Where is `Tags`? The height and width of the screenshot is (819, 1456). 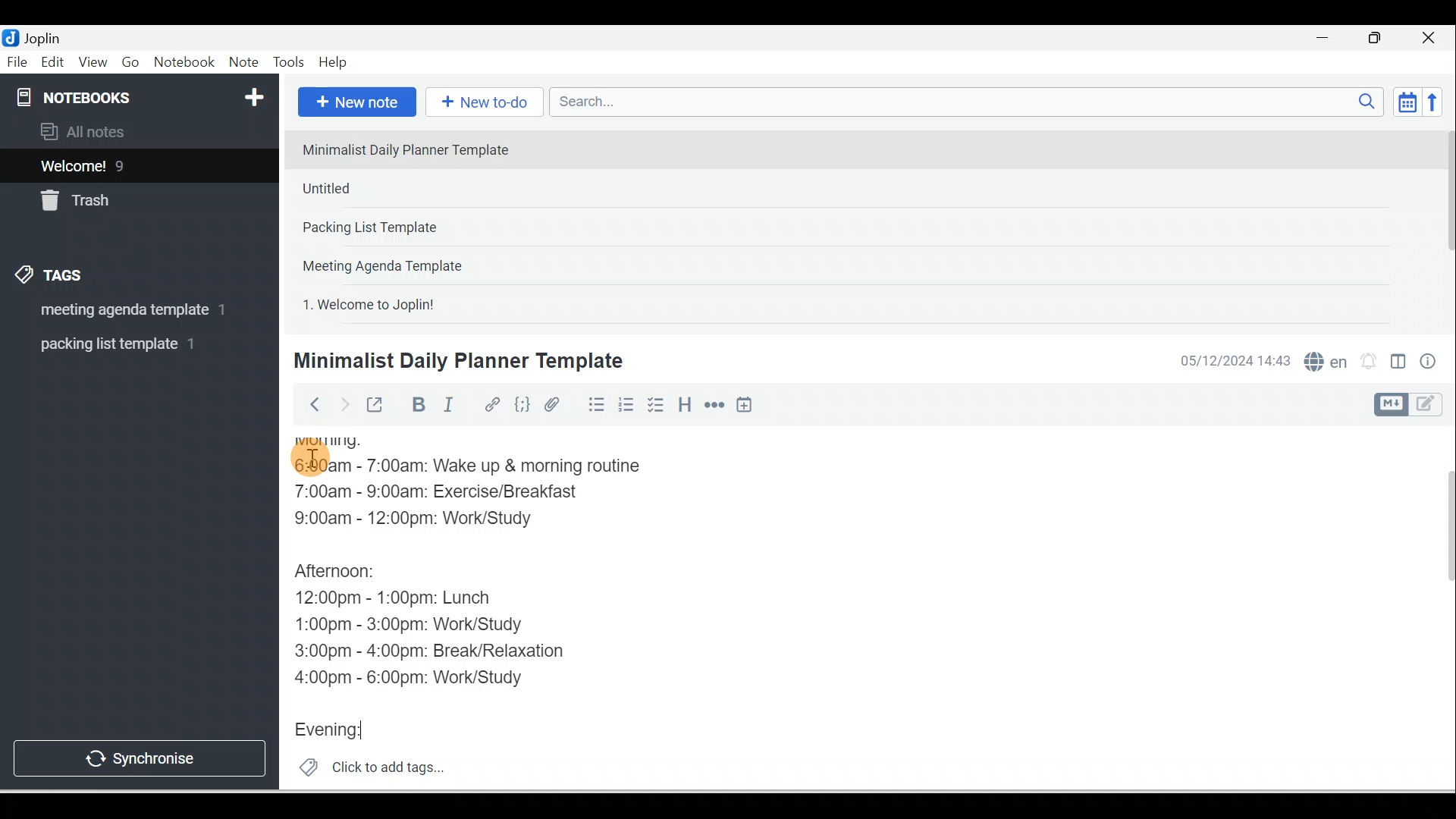
Tags is located at coordinates (54, 278).